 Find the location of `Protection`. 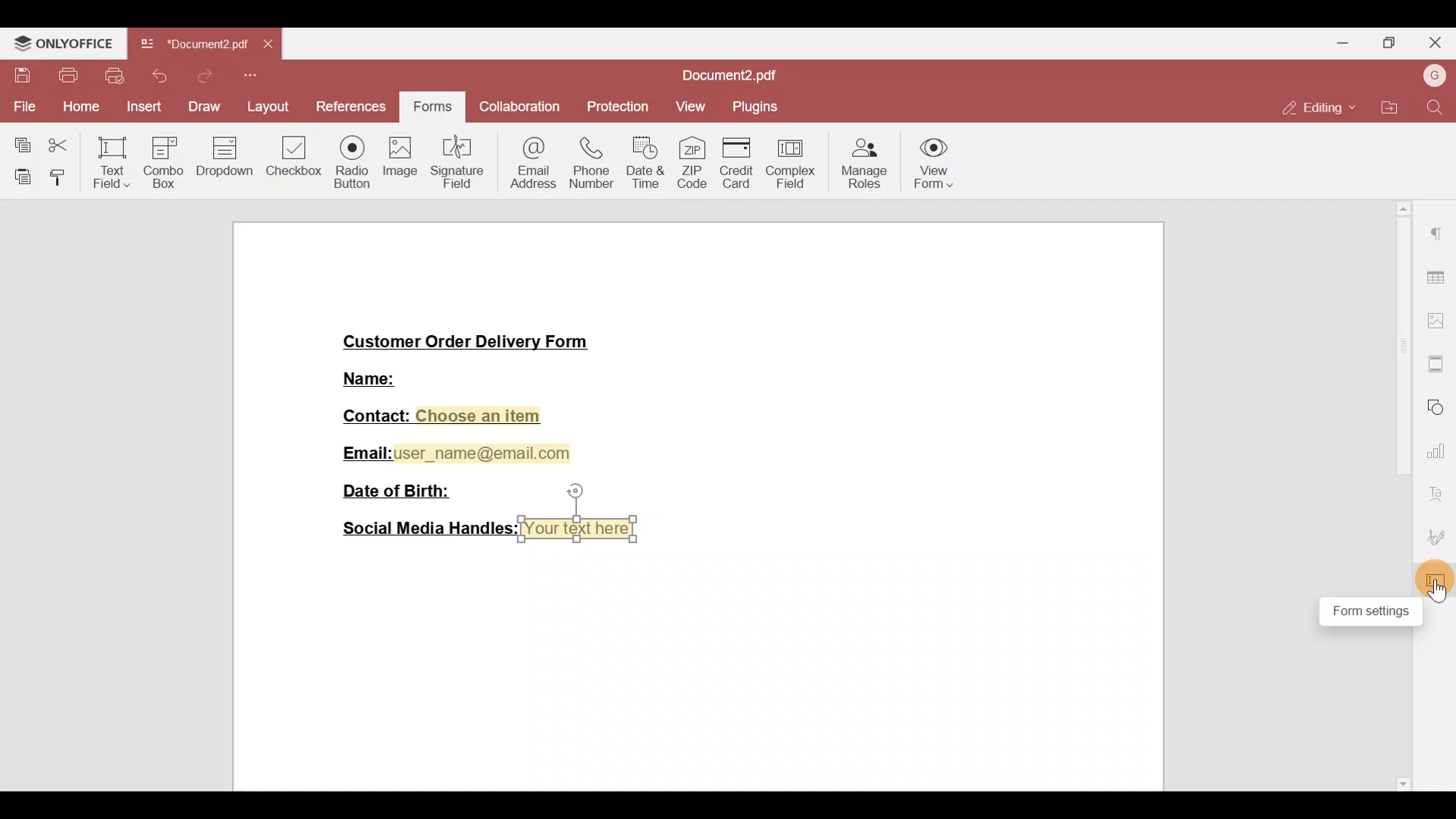

Protection is located at coordinates (614, 108).